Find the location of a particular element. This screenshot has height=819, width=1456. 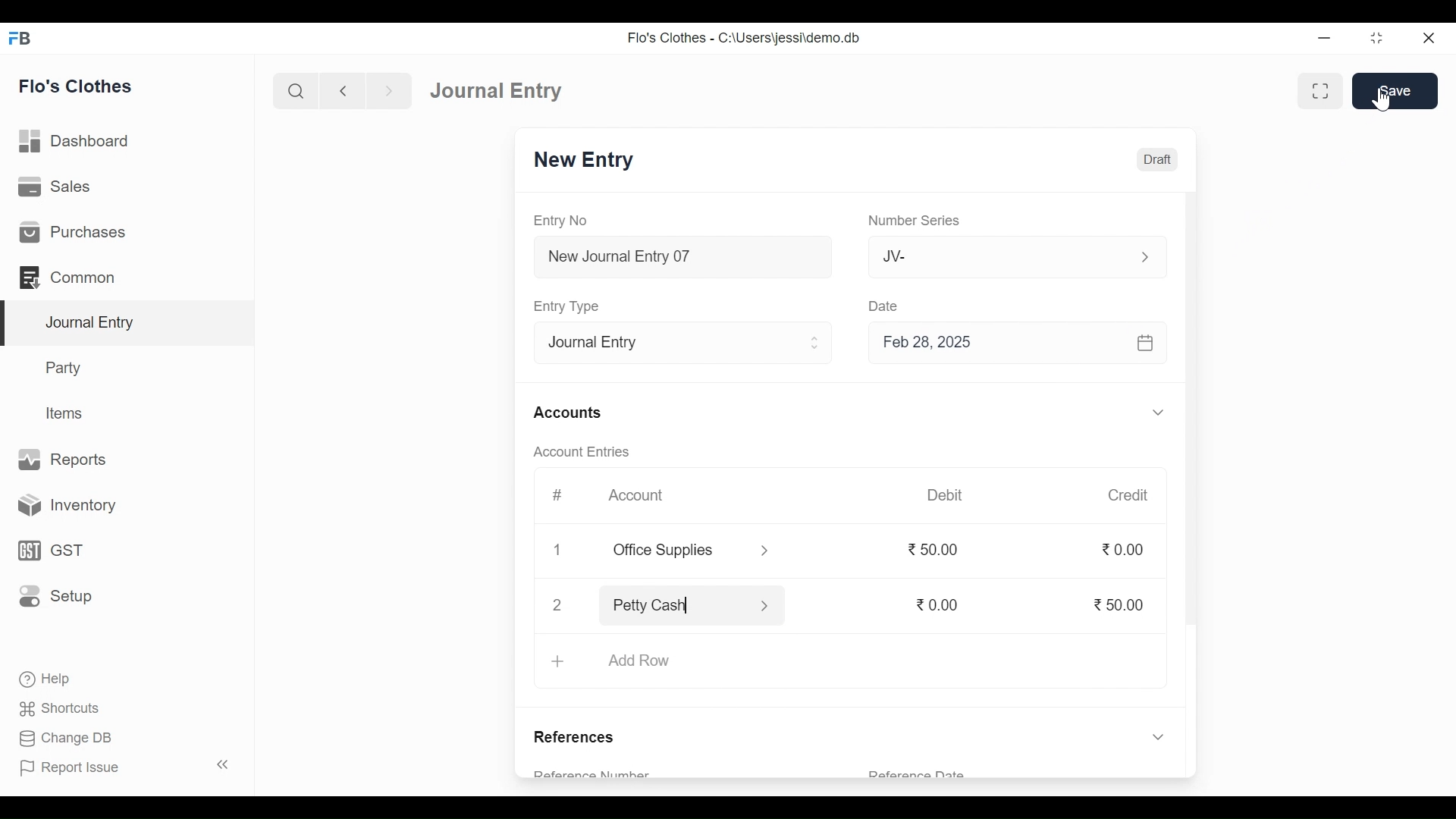

Expand is located at coordinates (1144, 257).